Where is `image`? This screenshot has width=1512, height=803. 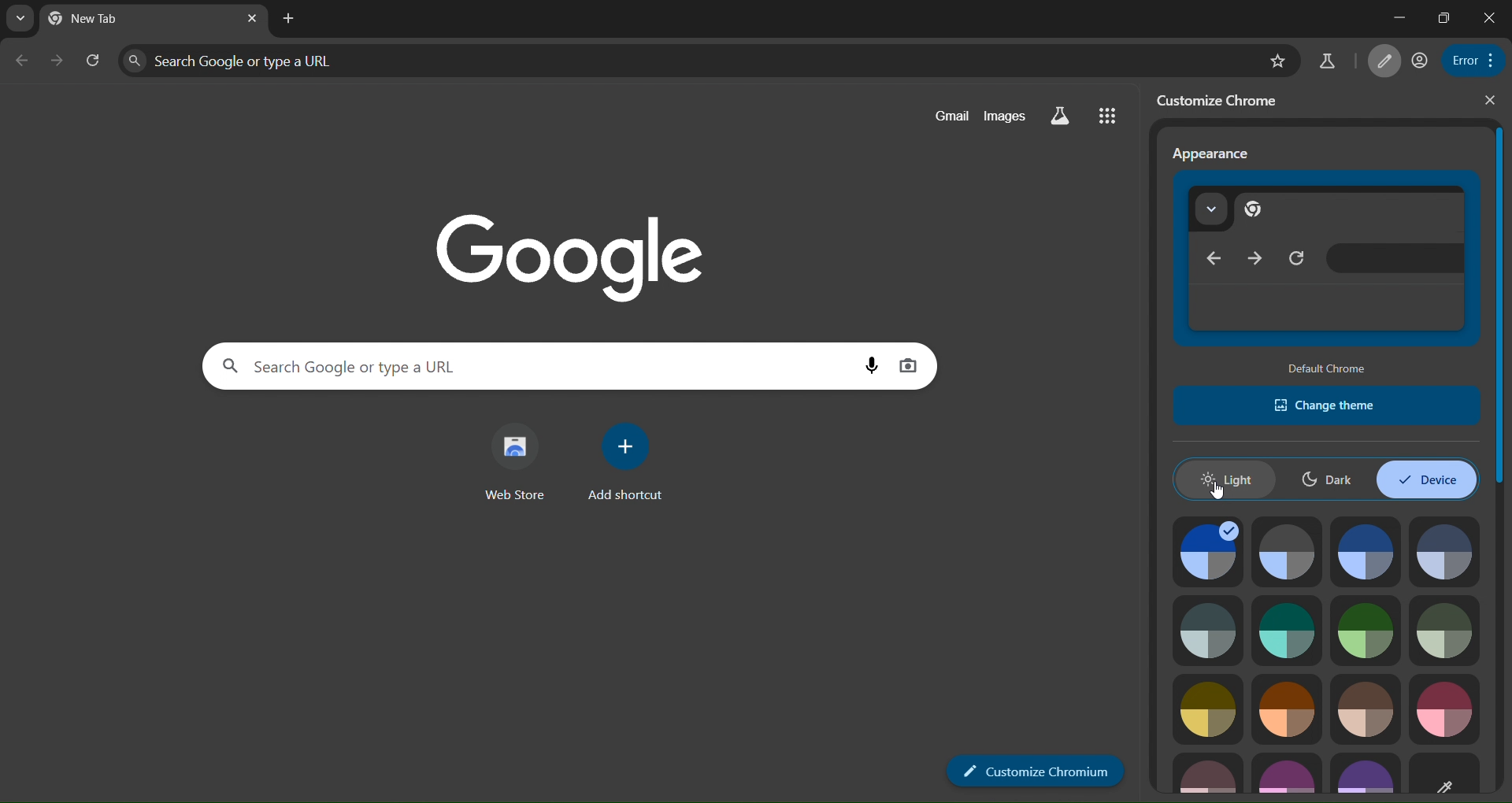
image is located at coordinates (1447, 550).